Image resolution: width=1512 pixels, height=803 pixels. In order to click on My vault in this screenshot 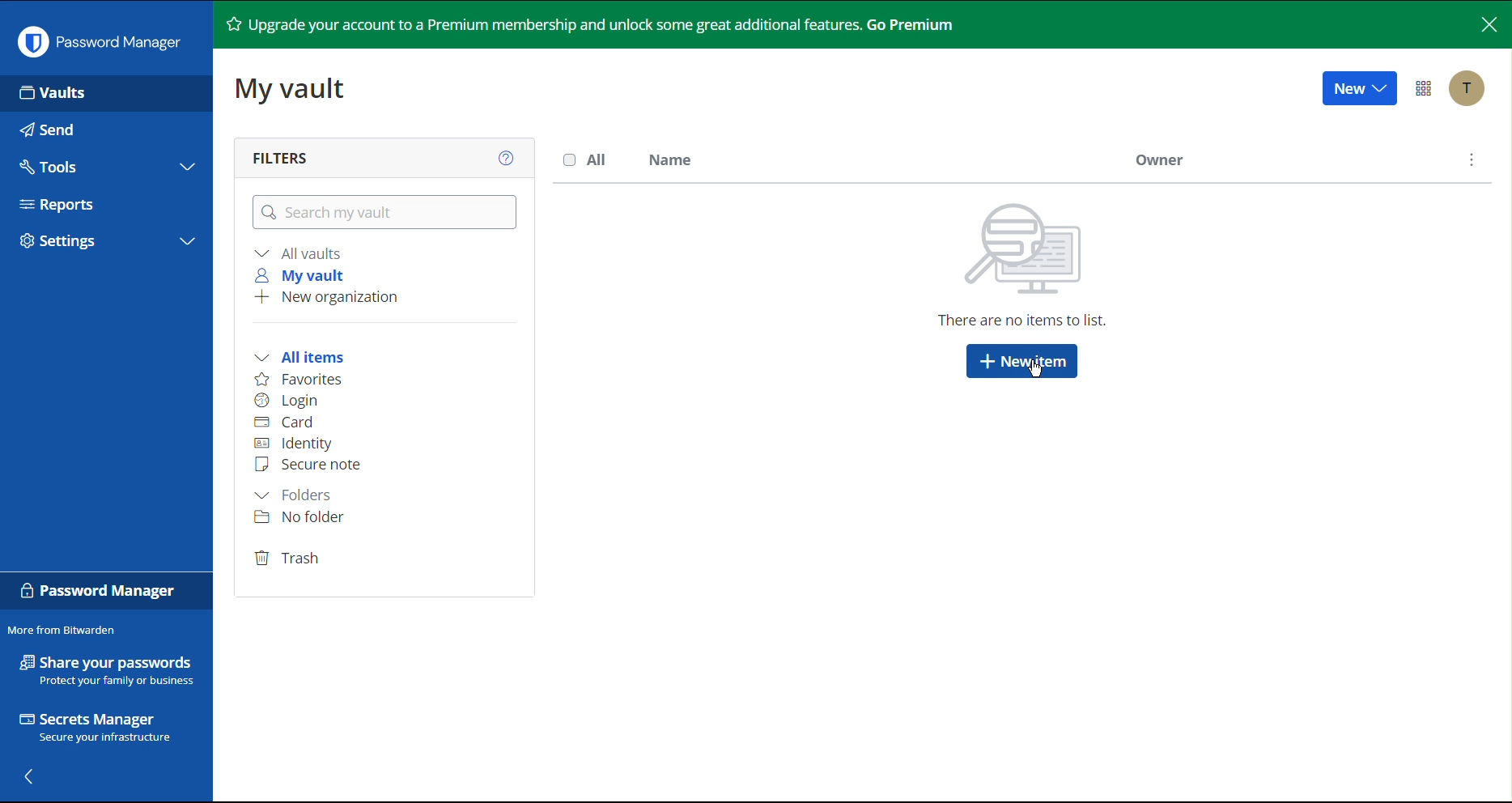, I will do `click(296, 91)`.